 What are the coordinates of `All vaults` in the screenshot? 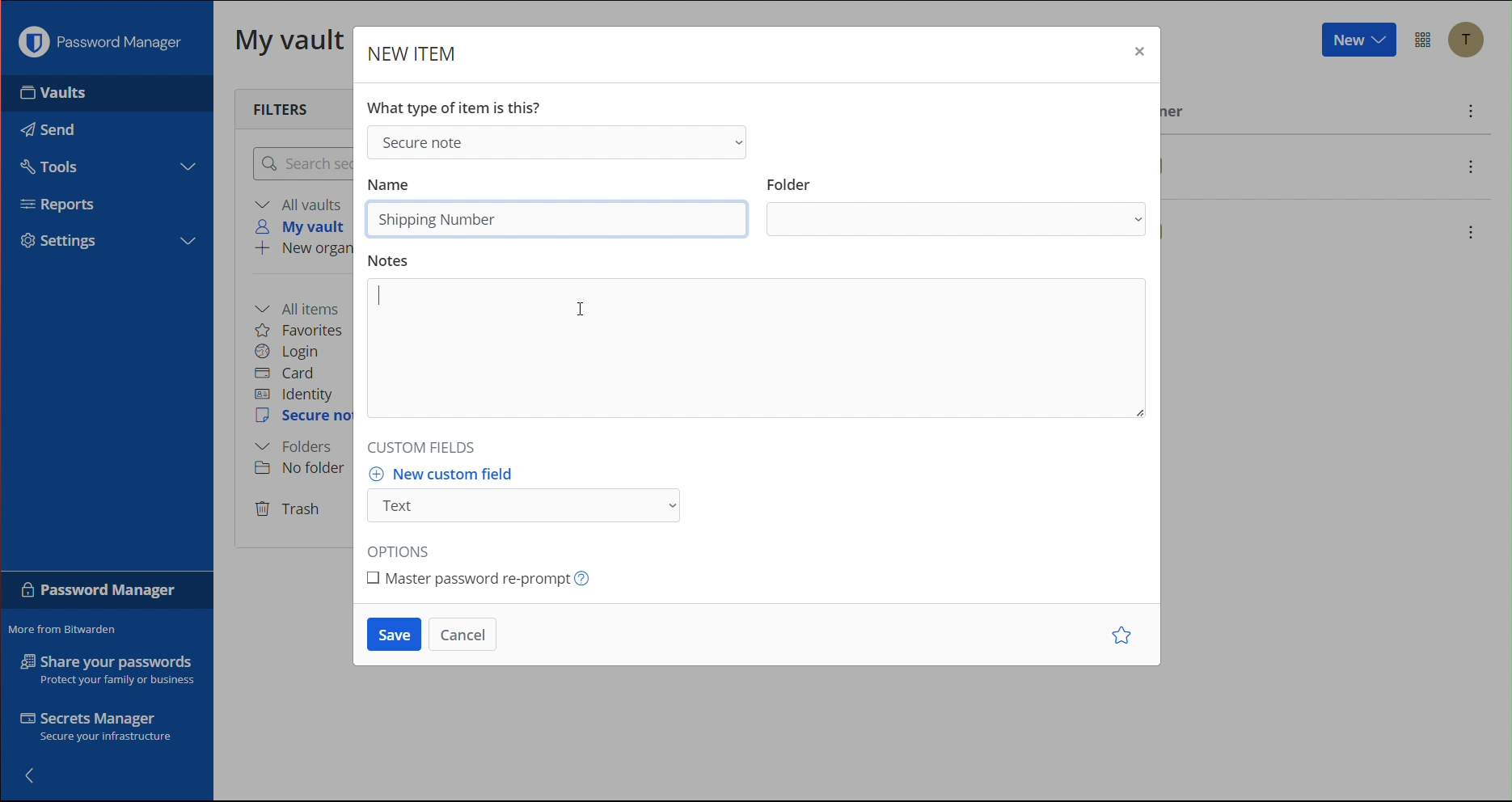 It's located at (302, 204).